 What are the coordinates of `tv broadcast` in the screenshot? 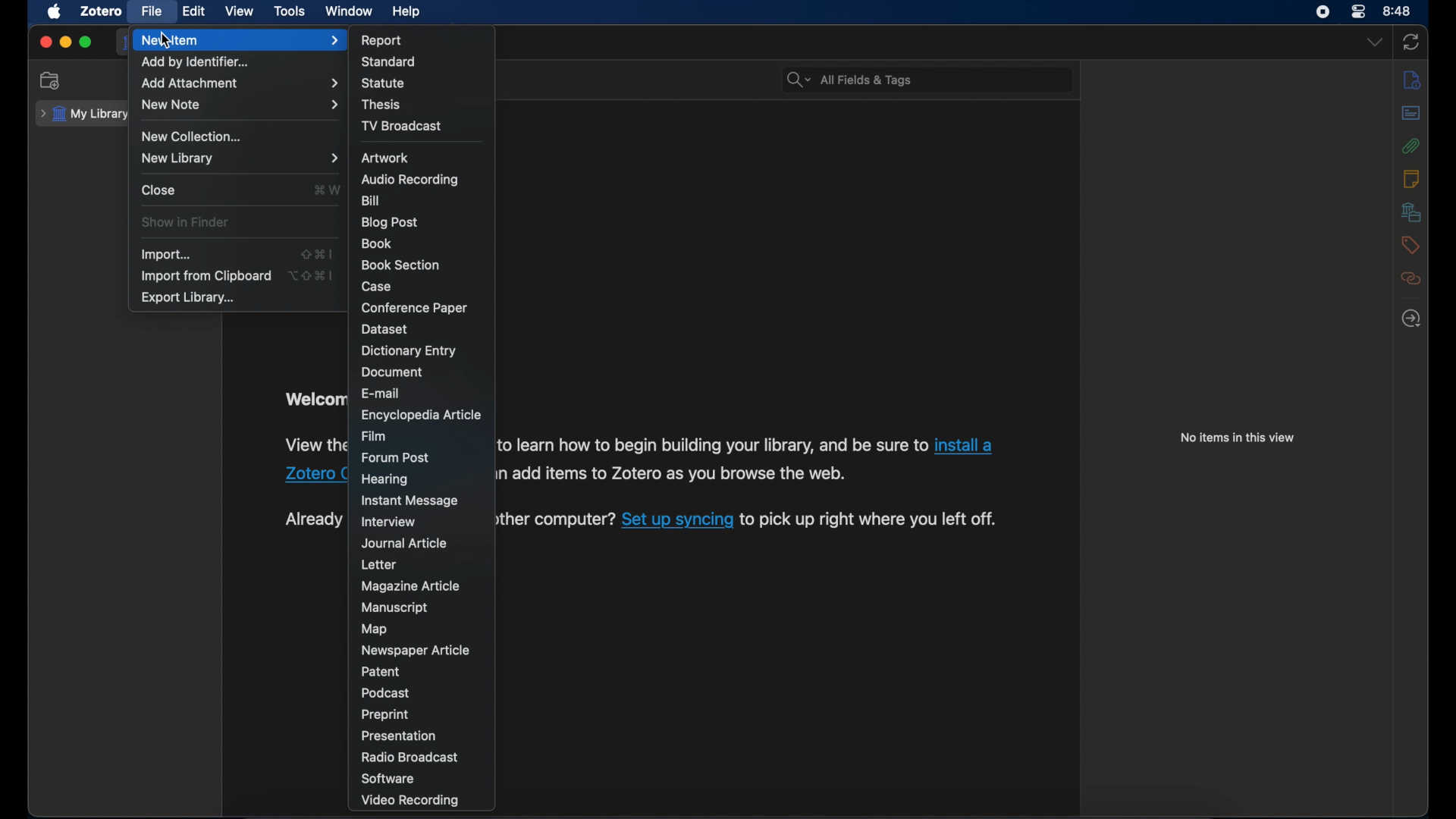 It's located at (402, 125).